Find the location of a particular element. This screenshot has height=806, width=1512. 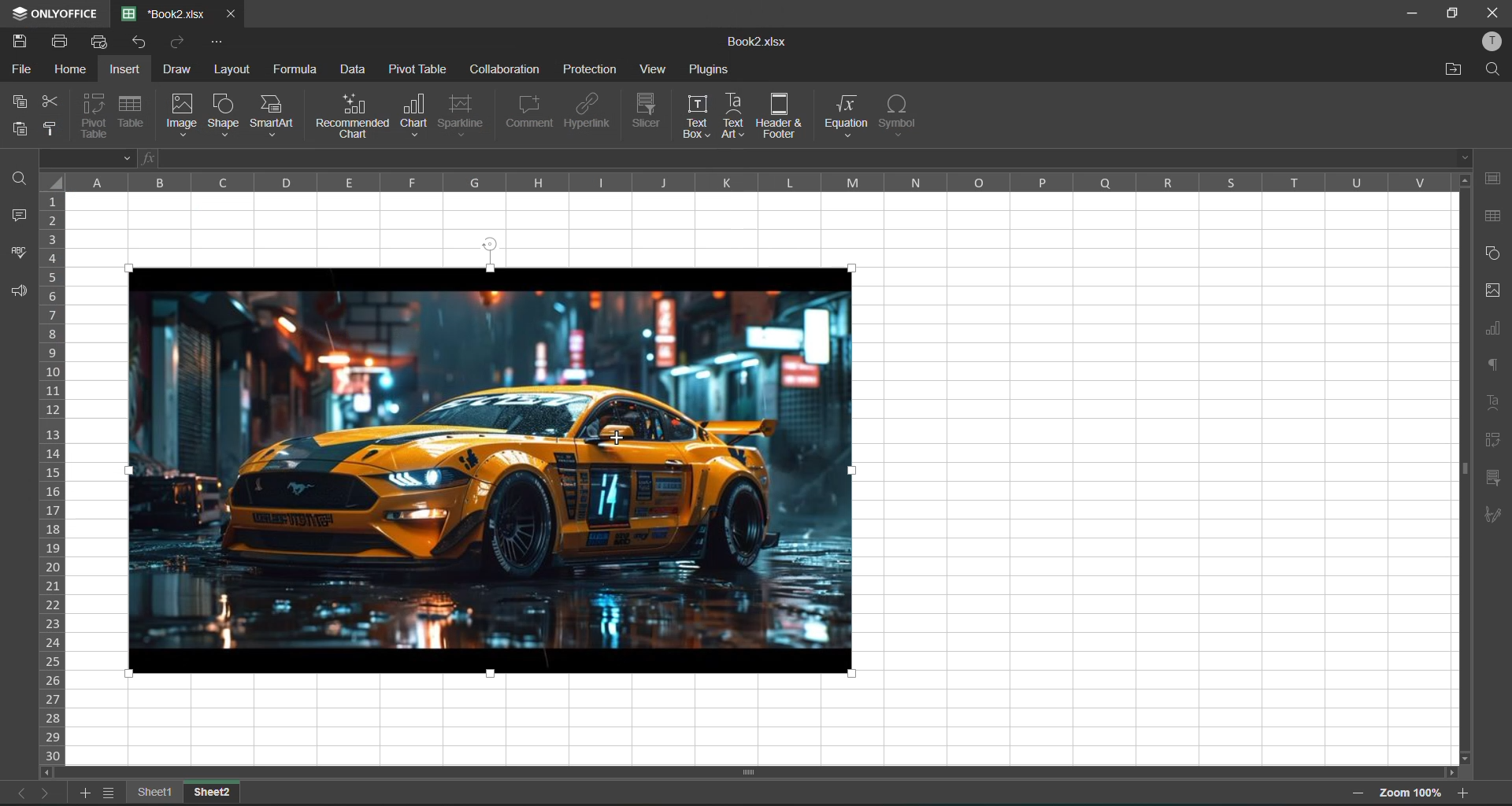

profile is located at coordinates (1493, 40).